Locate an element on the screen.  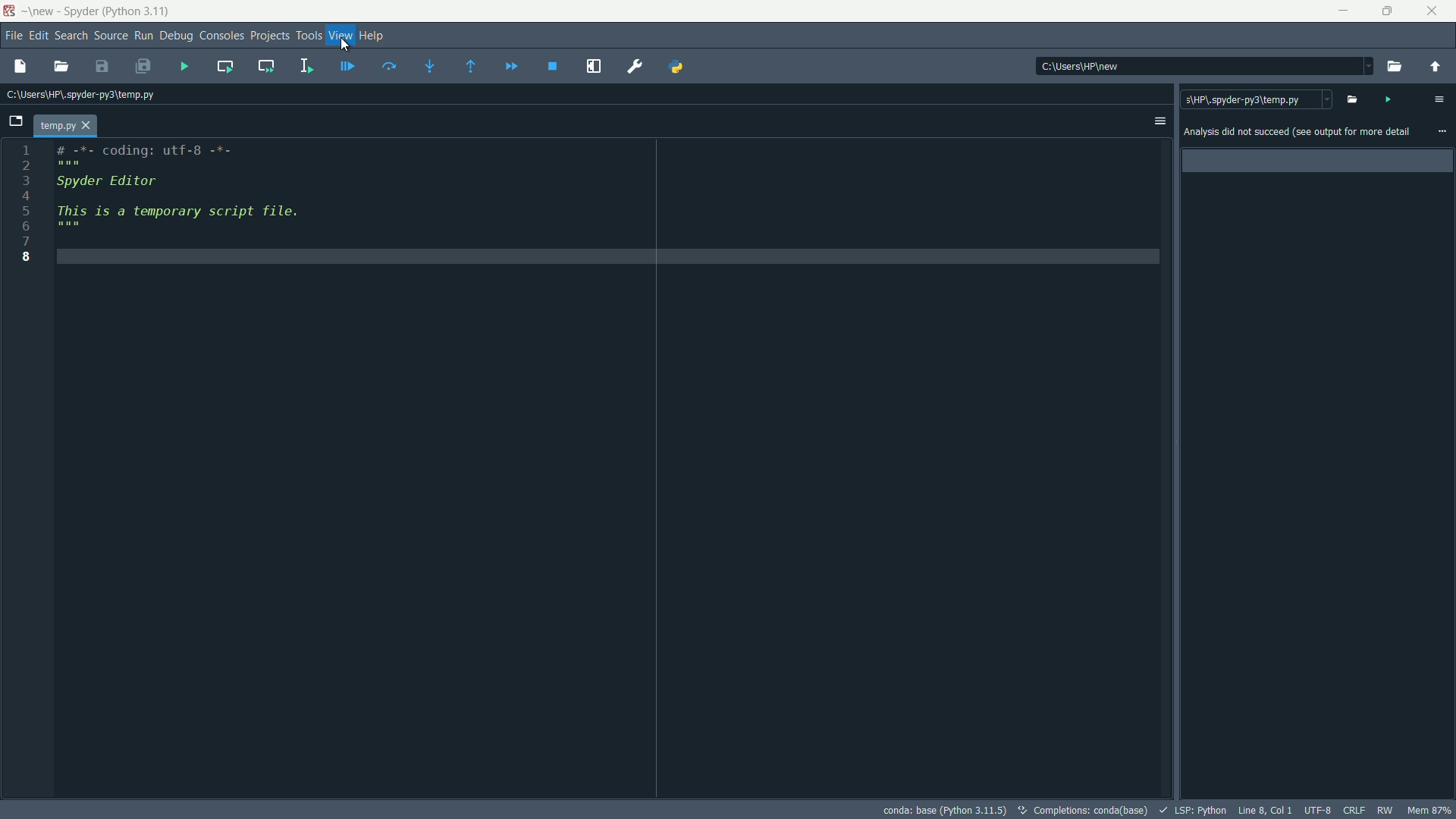
save file is located at coordinates (102, 65).